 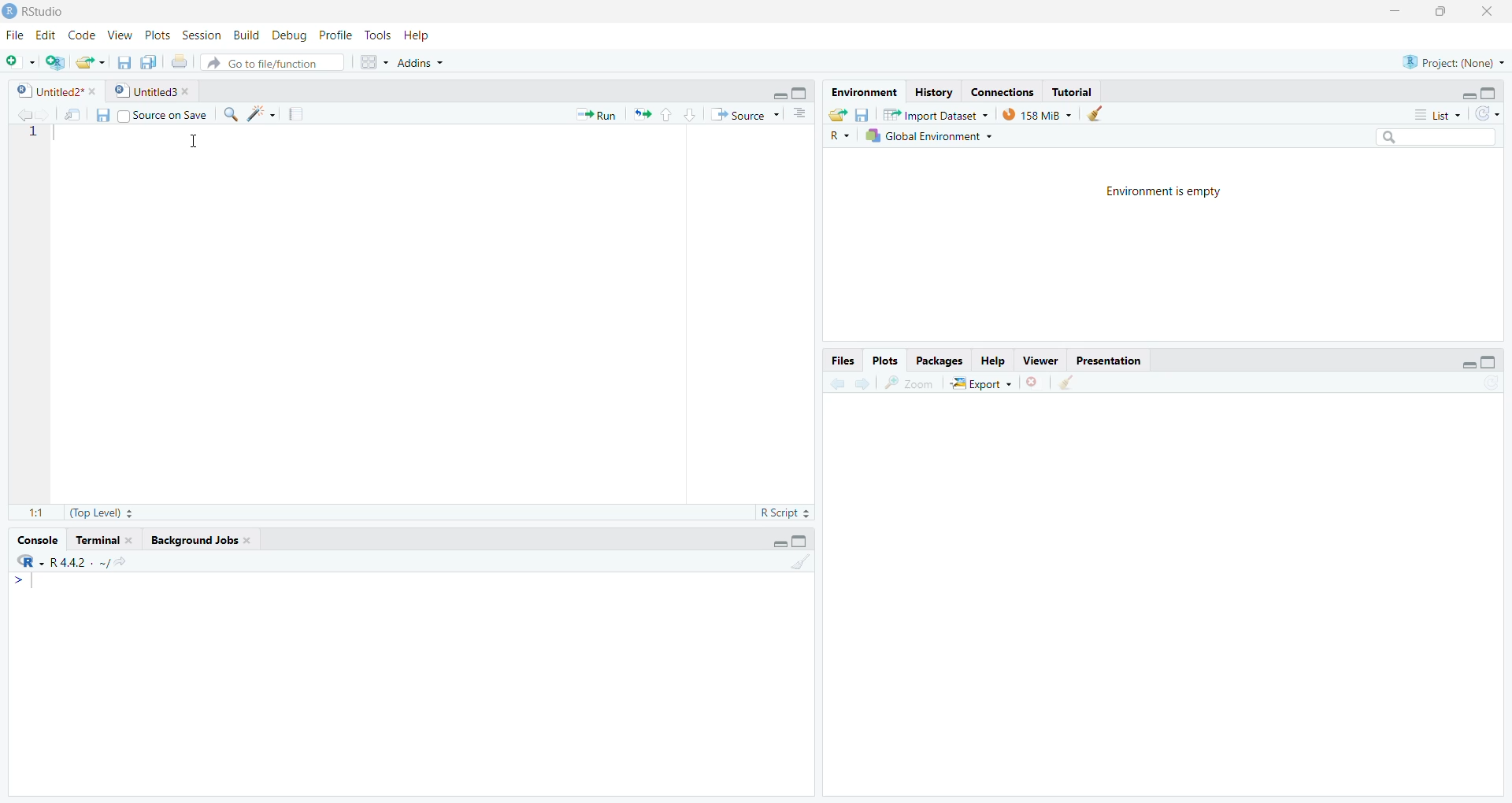 What do you see at coordinates (914, 380) in the screenshot?
I see `zoom` at bounding box center [914, 380].